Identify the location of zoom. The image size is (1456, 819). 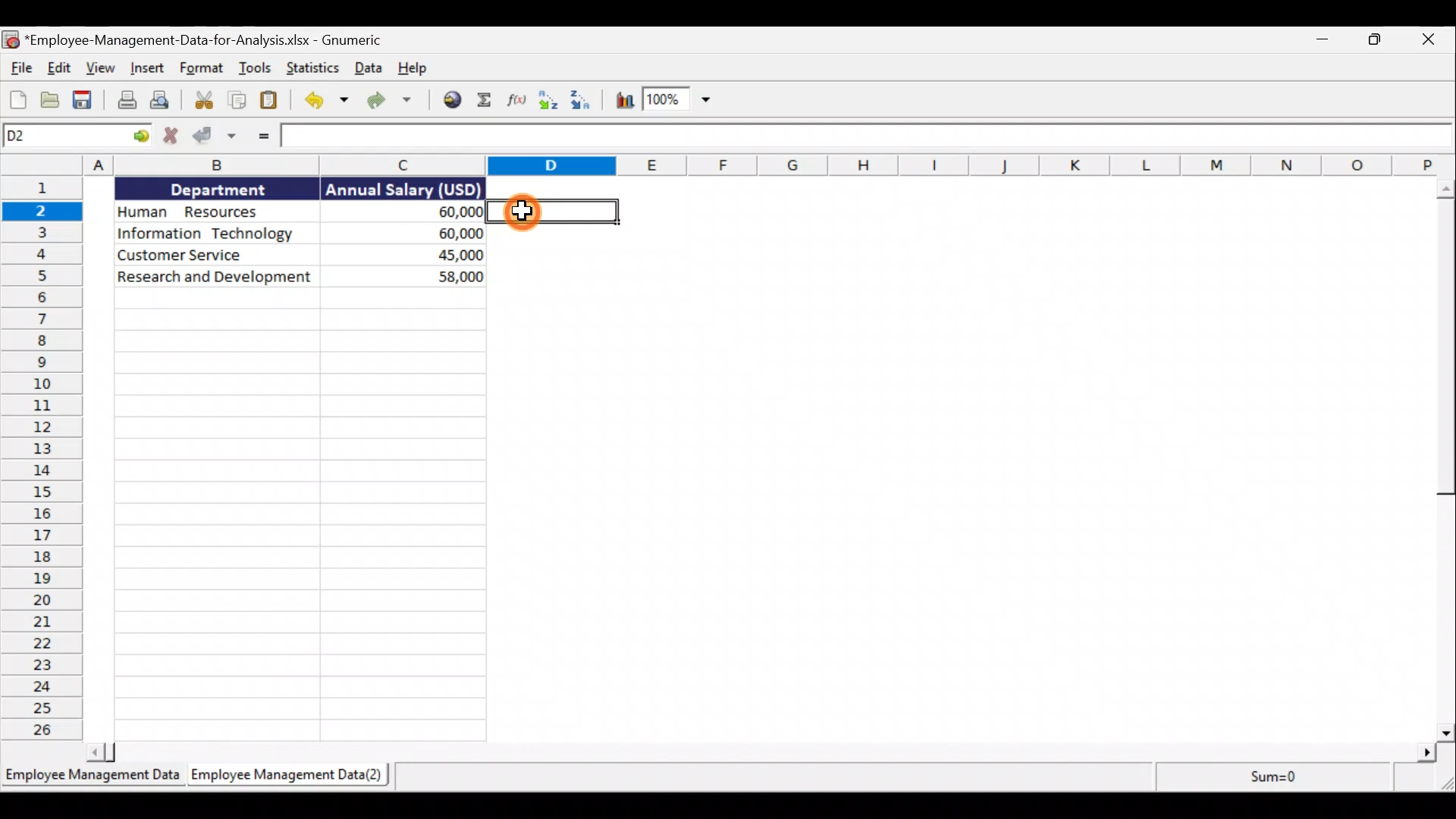
(687, 101).